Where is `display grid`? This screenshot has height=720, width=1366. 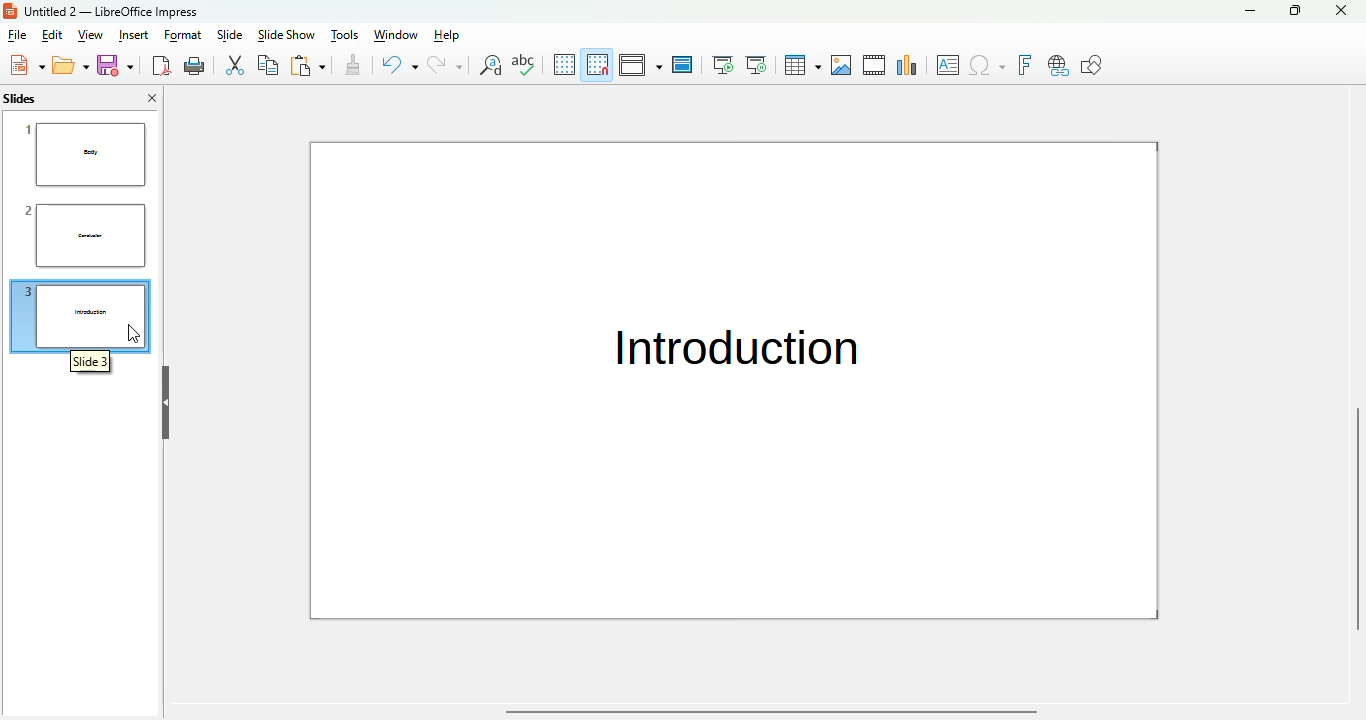
display grid is located at coordinates (564, 63).